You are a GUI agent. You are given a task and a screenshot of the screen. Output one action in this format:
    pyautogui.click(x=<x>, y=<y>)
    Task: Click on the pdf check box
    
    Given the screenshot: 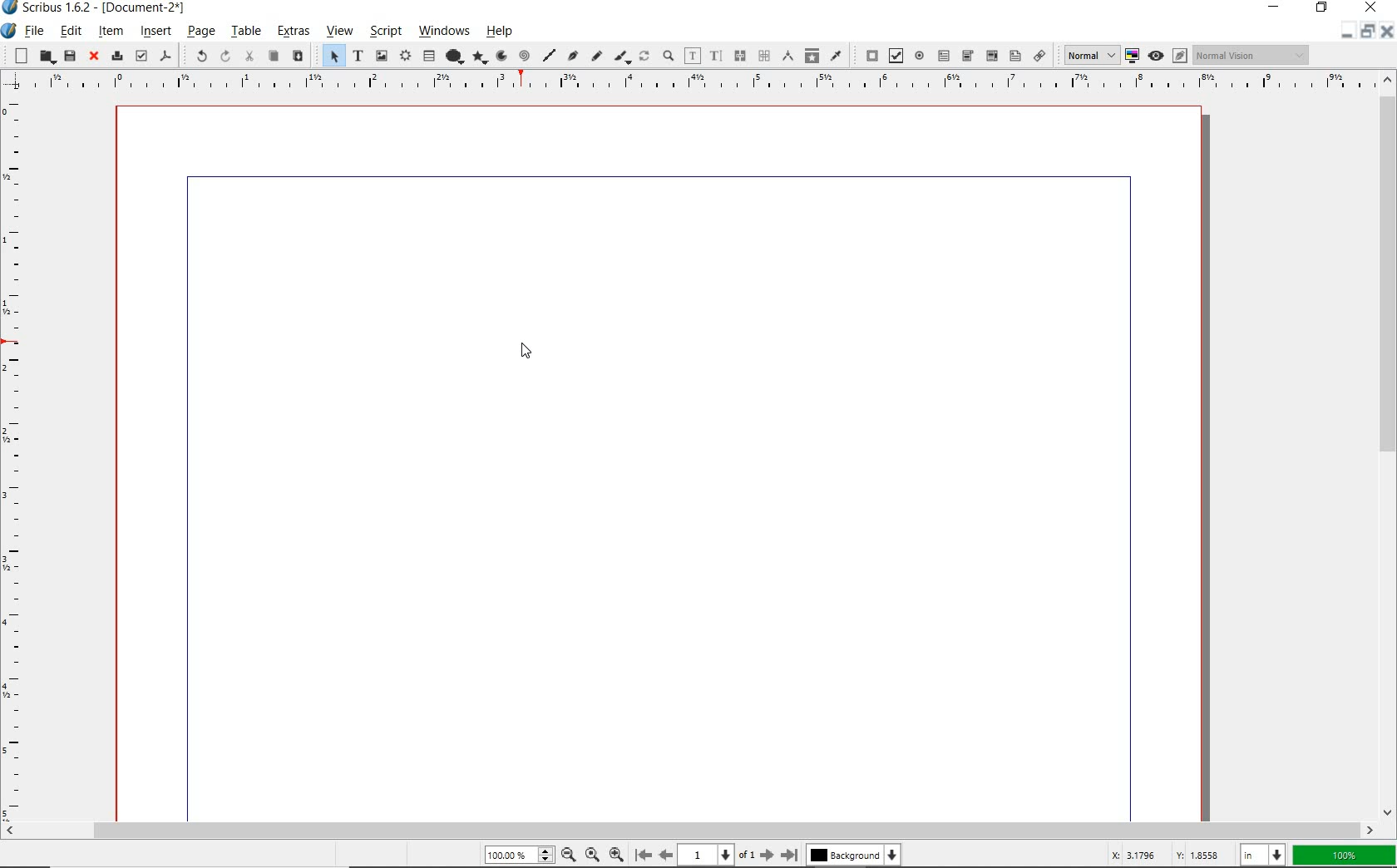 What is the action you would take?
    pyautogui.click(x=894, y=57)
    